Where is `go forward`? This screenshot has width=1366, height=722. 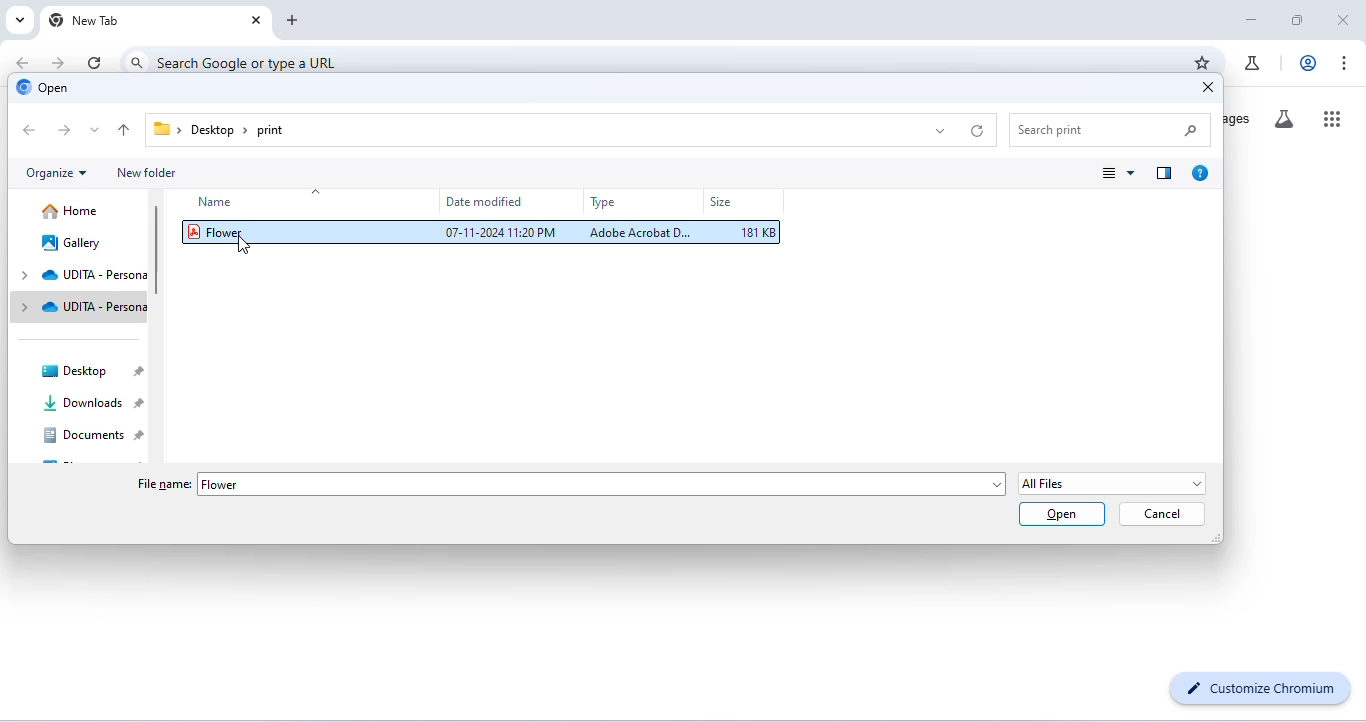
go forward is located at coordinates (60, 62).